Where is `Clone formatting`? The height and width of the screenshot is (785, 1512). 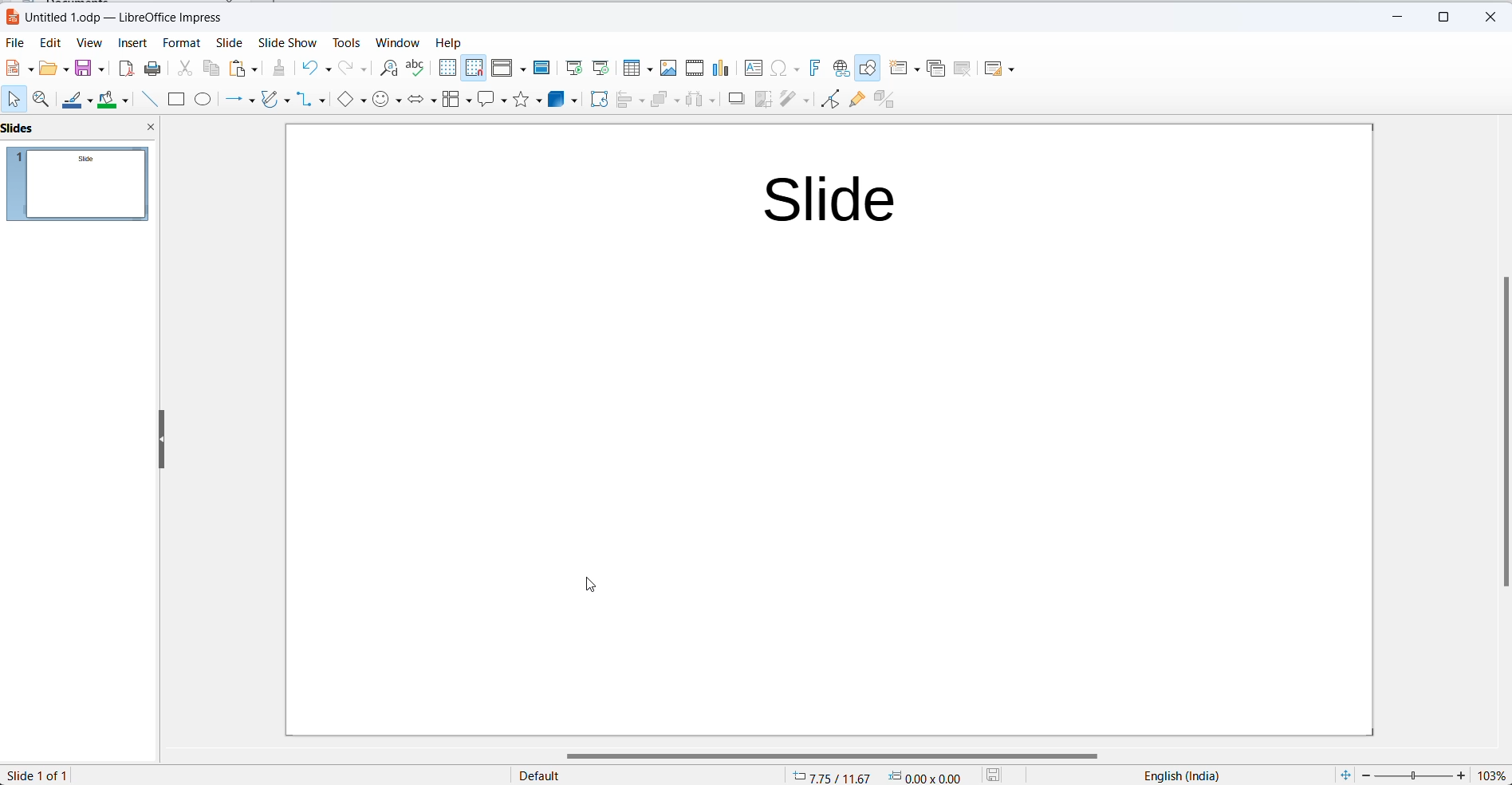 Clone formatting is located at coordinates (274, 68).